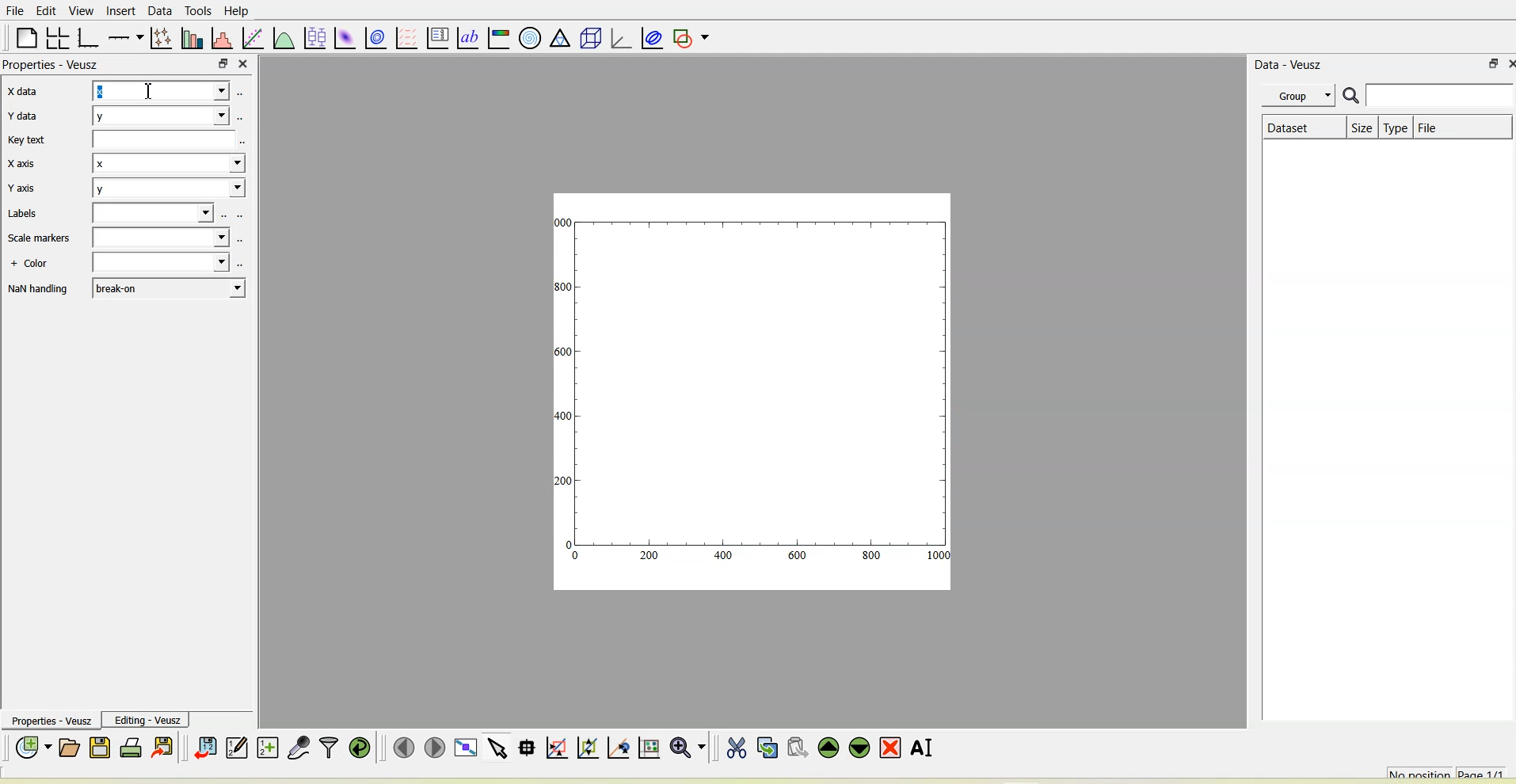 The width and height of the screenshot is (1516, 784). I want to click on Export to graphics formats, so click(162, 748).